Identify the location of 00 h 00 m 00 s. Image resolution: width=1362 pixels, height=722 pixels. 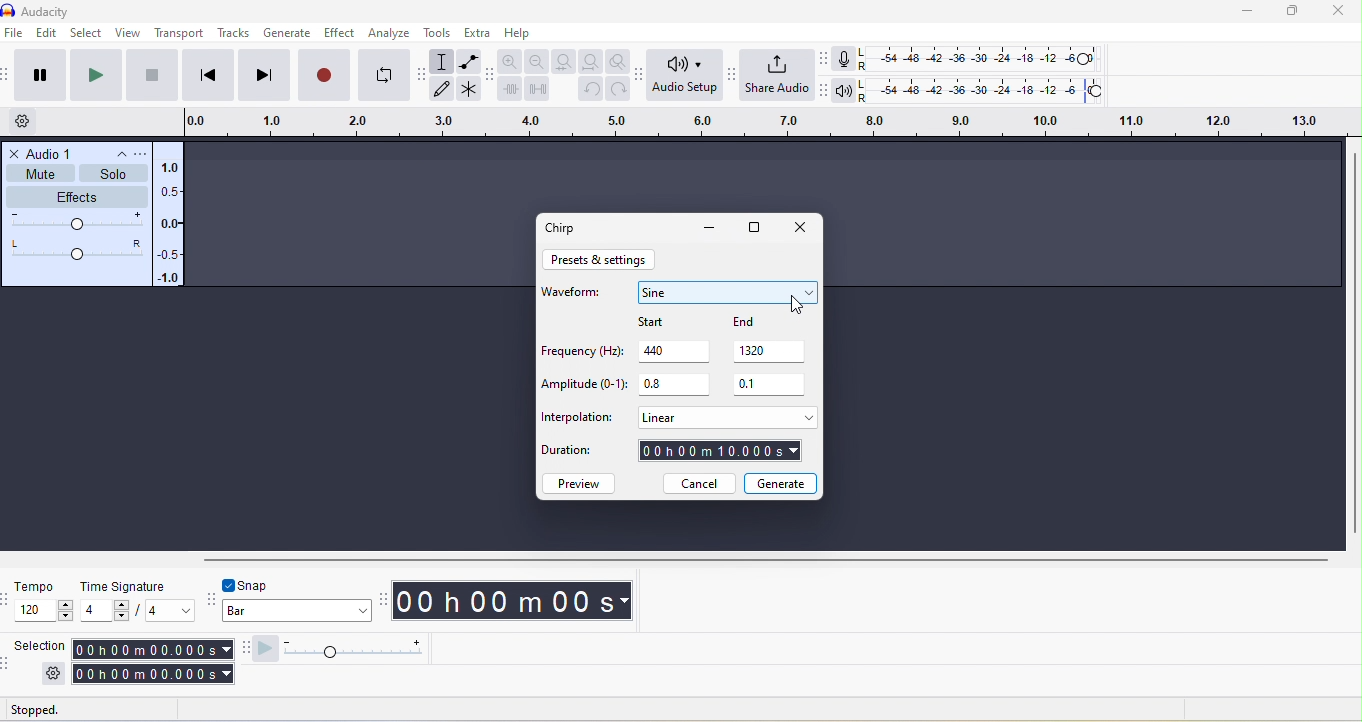
(517, 602).